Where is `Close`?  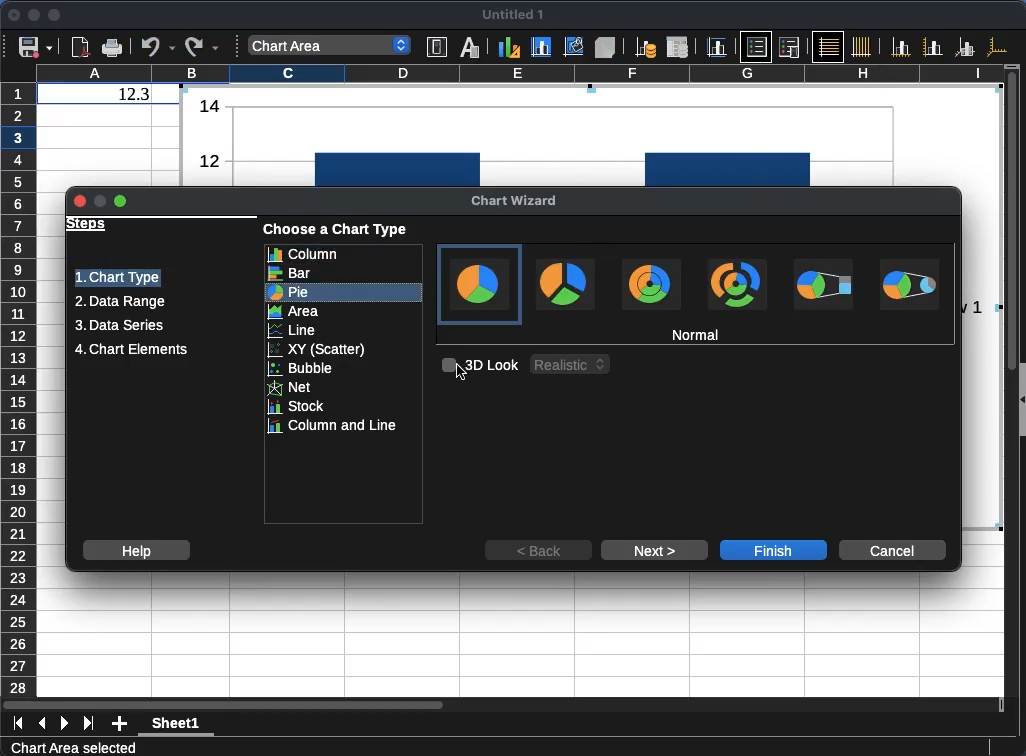
Close is located at coordinates (80, 201).